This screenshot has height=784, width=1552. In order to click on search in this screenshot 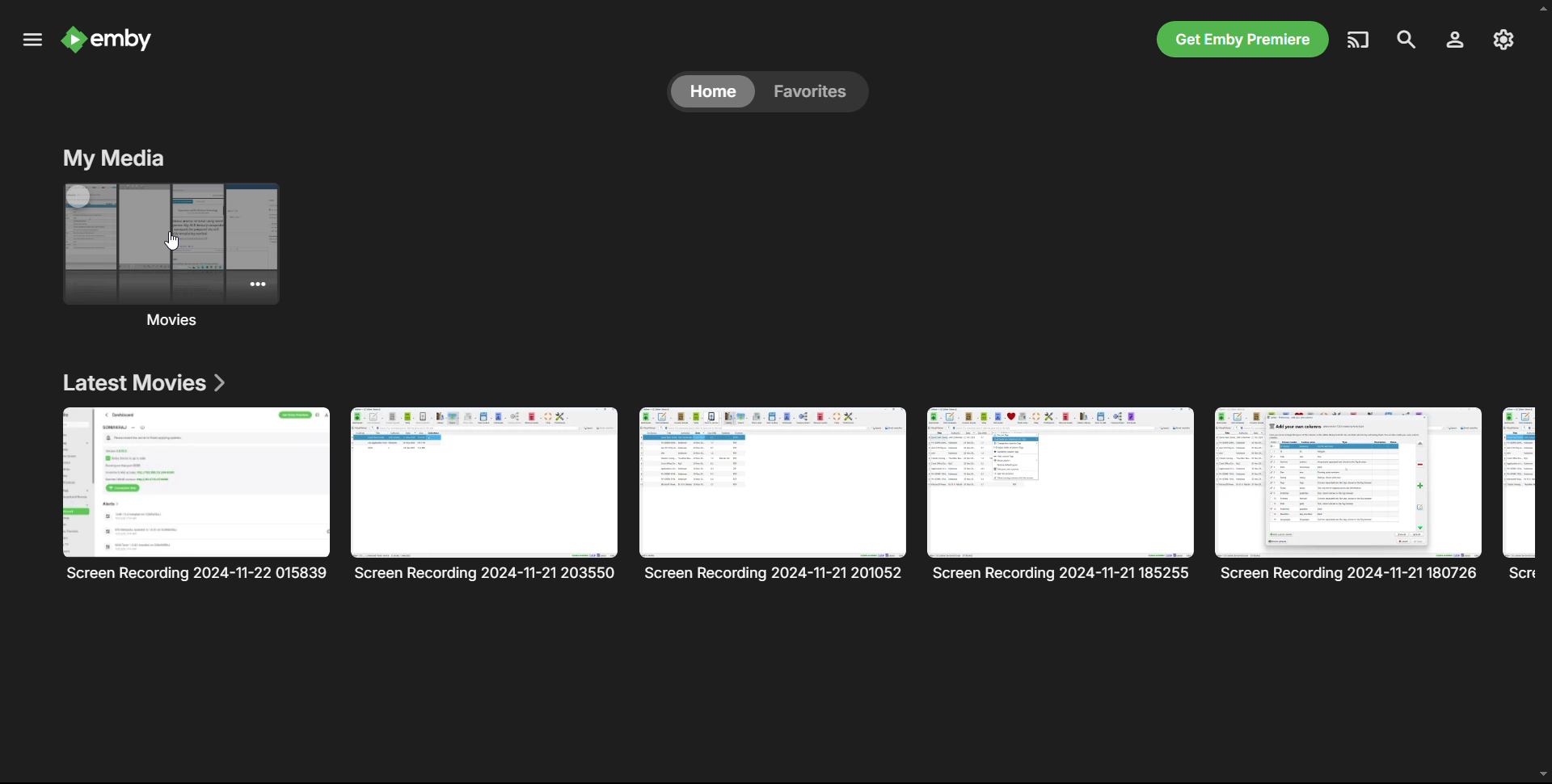, I will do `click(1406, 40)`.